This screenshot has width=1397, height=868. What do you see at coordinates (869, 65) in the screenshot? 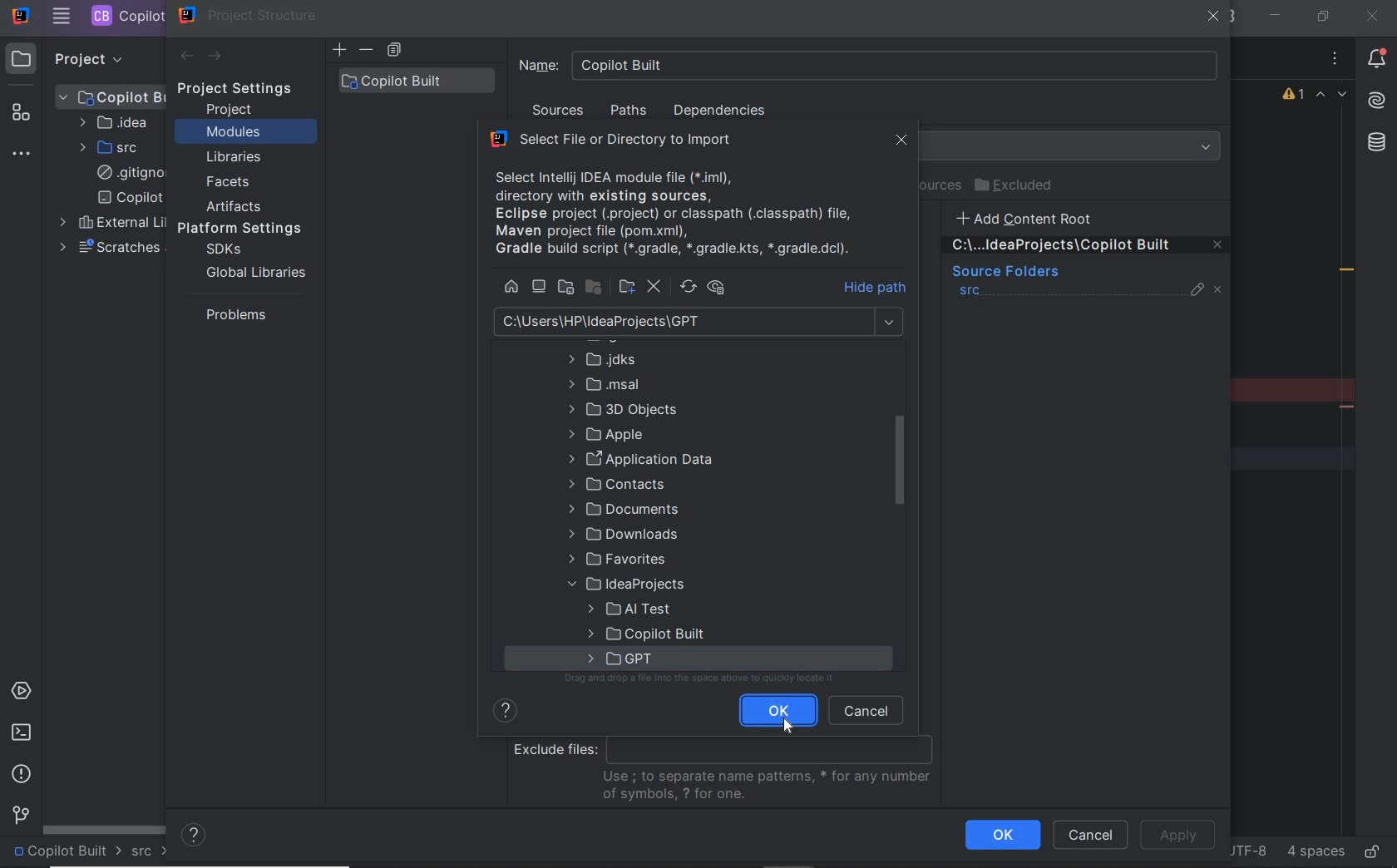
I see `Name` at bounding box center [869, 65].